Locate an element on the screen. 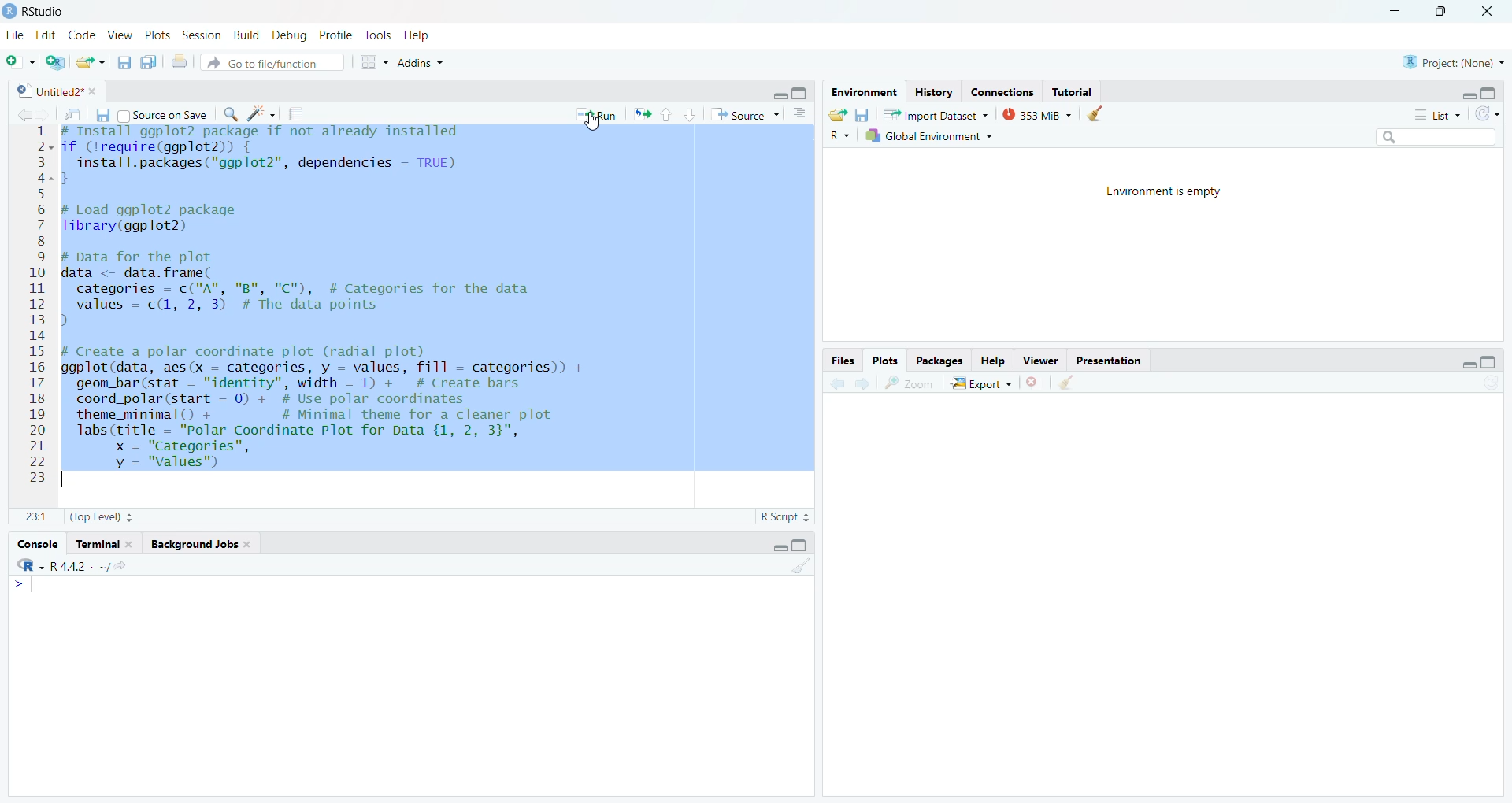 This screenshot has height=803, width=1512. hide r script is located at coordinates (1462, 92).